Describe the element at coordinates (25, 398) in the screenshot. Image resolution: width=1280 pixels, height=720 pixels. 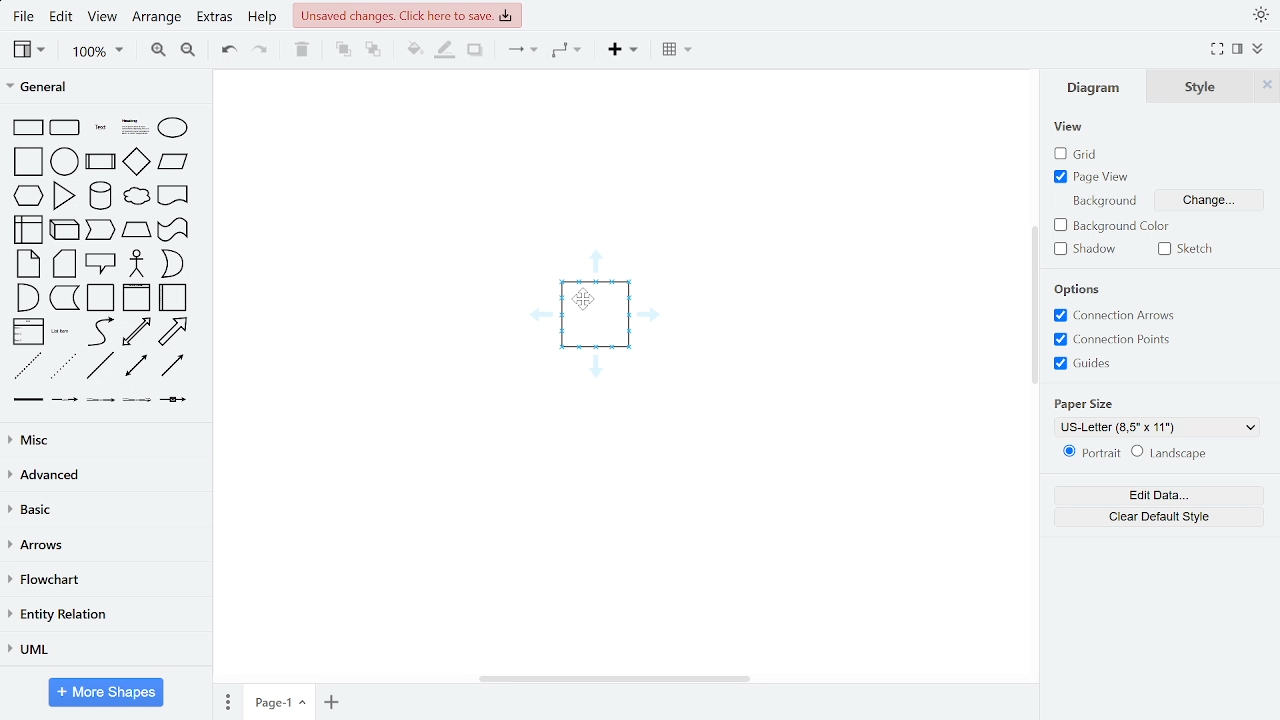
I see `` at that location.